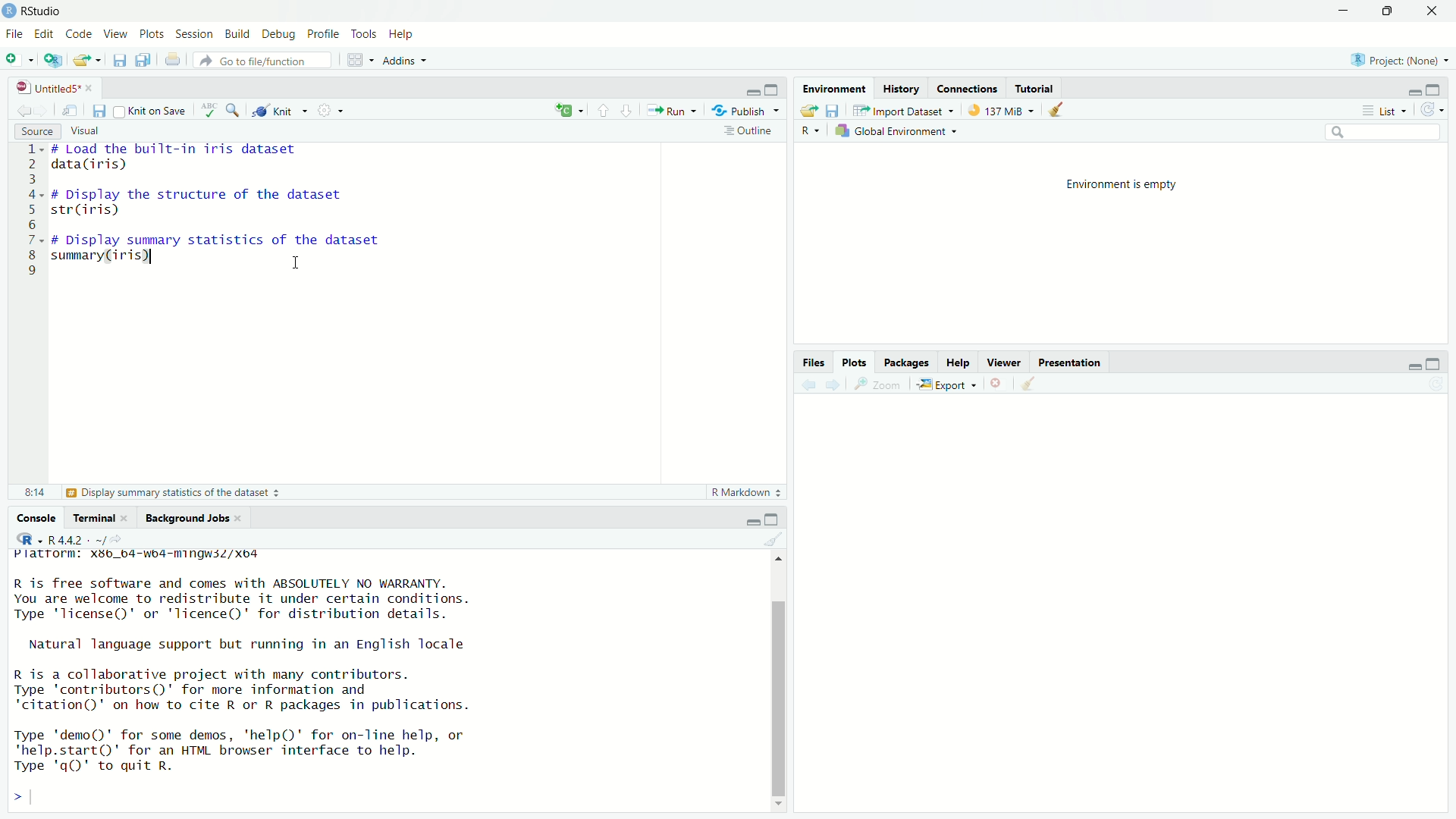 This screenshot has height=819, width=1456. Describe the element at coordinates (359, 60) in the screenshot. I see `Workspace panes` at that location.